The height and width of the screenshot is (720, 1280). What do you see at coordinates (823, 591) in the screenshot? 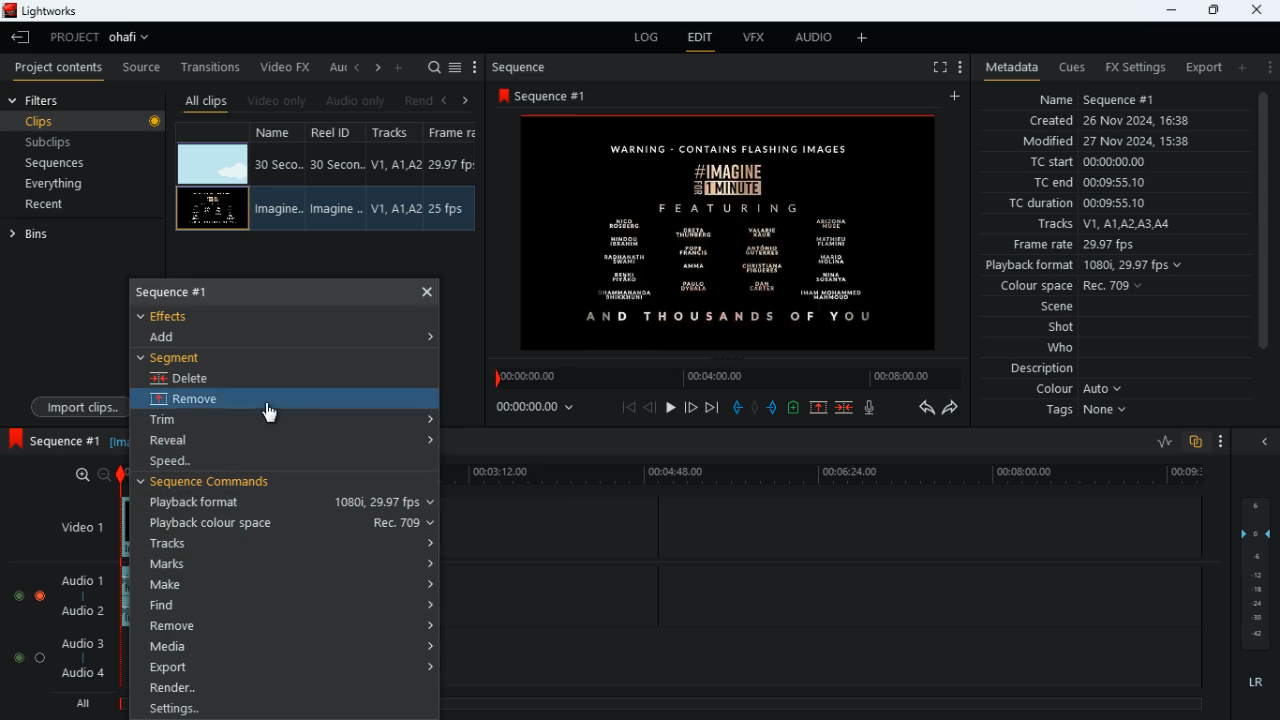
I see `timeline tracks` at bounding box center [823, 591].